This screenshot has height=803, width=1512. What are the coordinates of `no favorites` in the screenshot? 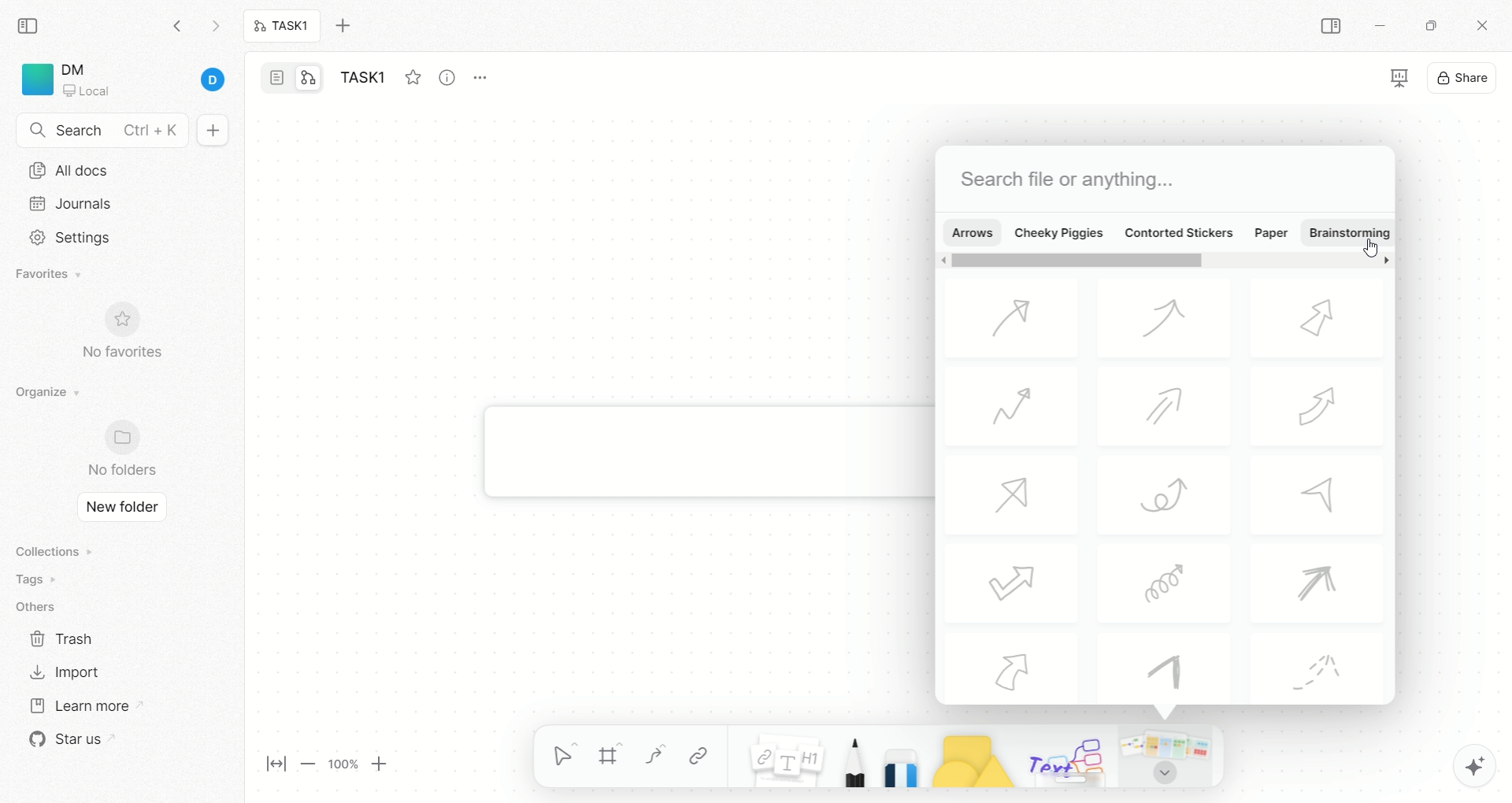 It's located at (130, 340).